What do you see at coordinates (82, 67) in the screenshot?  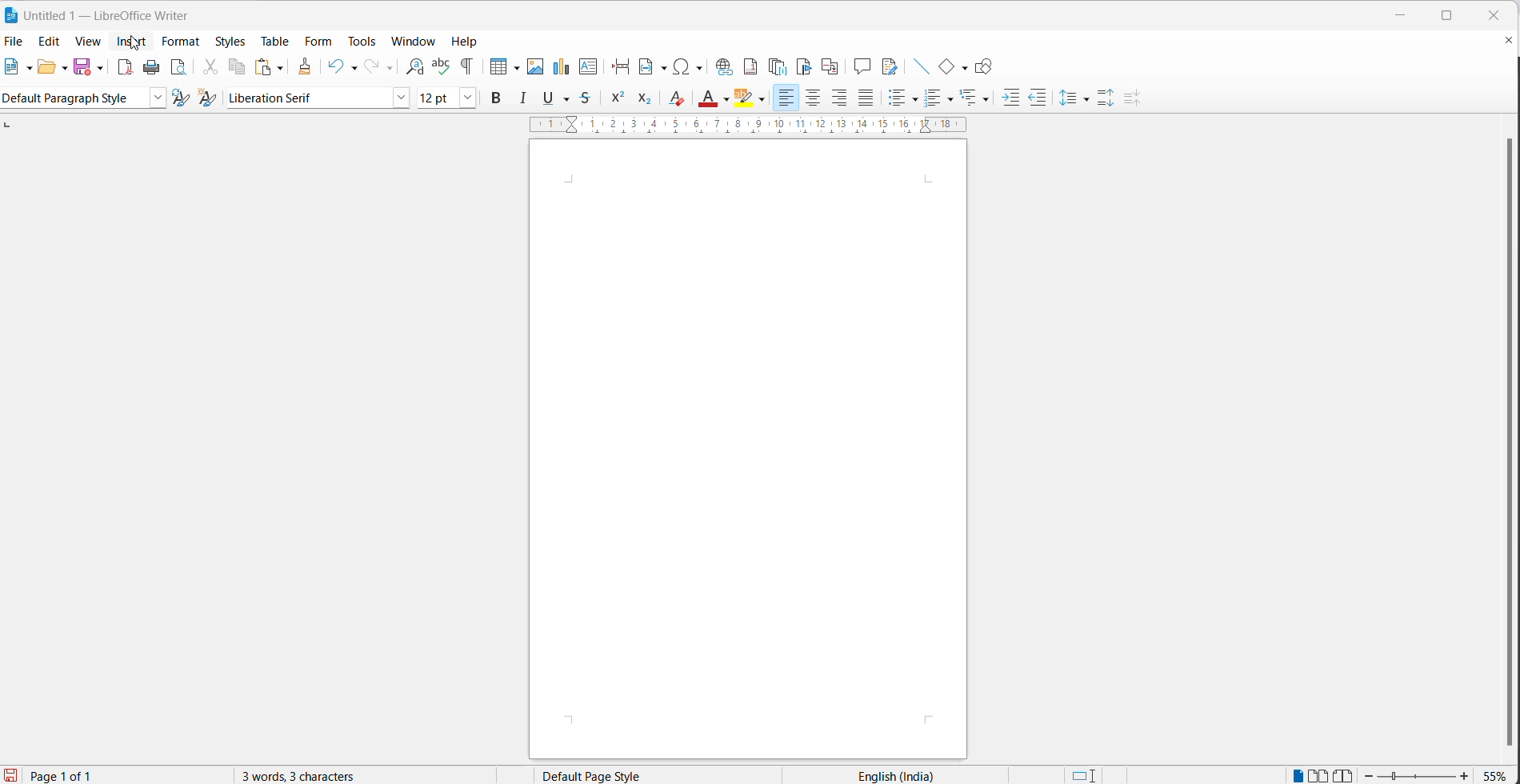 I see `save` at bounding box center [82, 67].